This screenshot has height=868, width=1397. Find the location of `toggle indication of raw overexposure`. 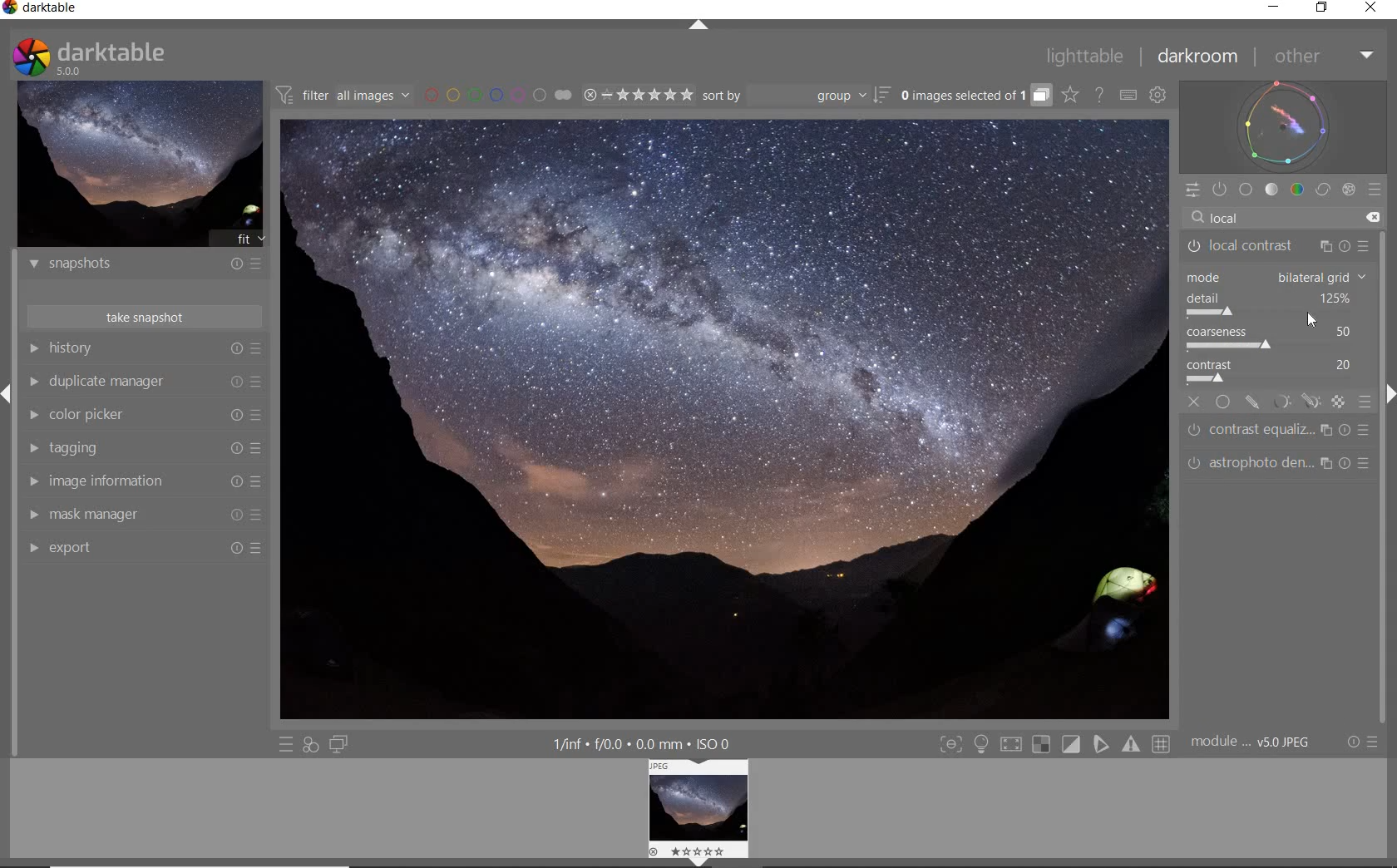

toggle indication of raw overexposure is located at coordinates (1044, 747).